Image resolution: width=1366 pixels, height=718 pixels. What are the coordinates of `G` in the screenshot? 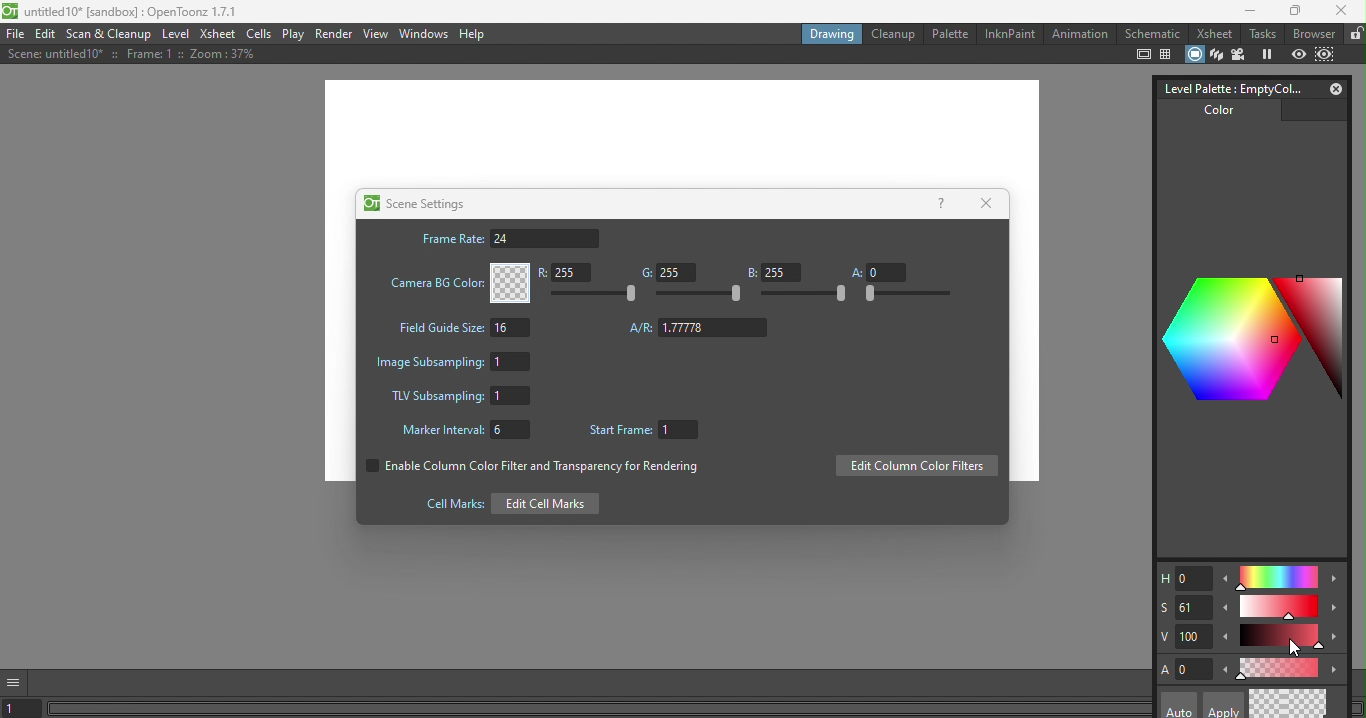 It's located at (665, 273).